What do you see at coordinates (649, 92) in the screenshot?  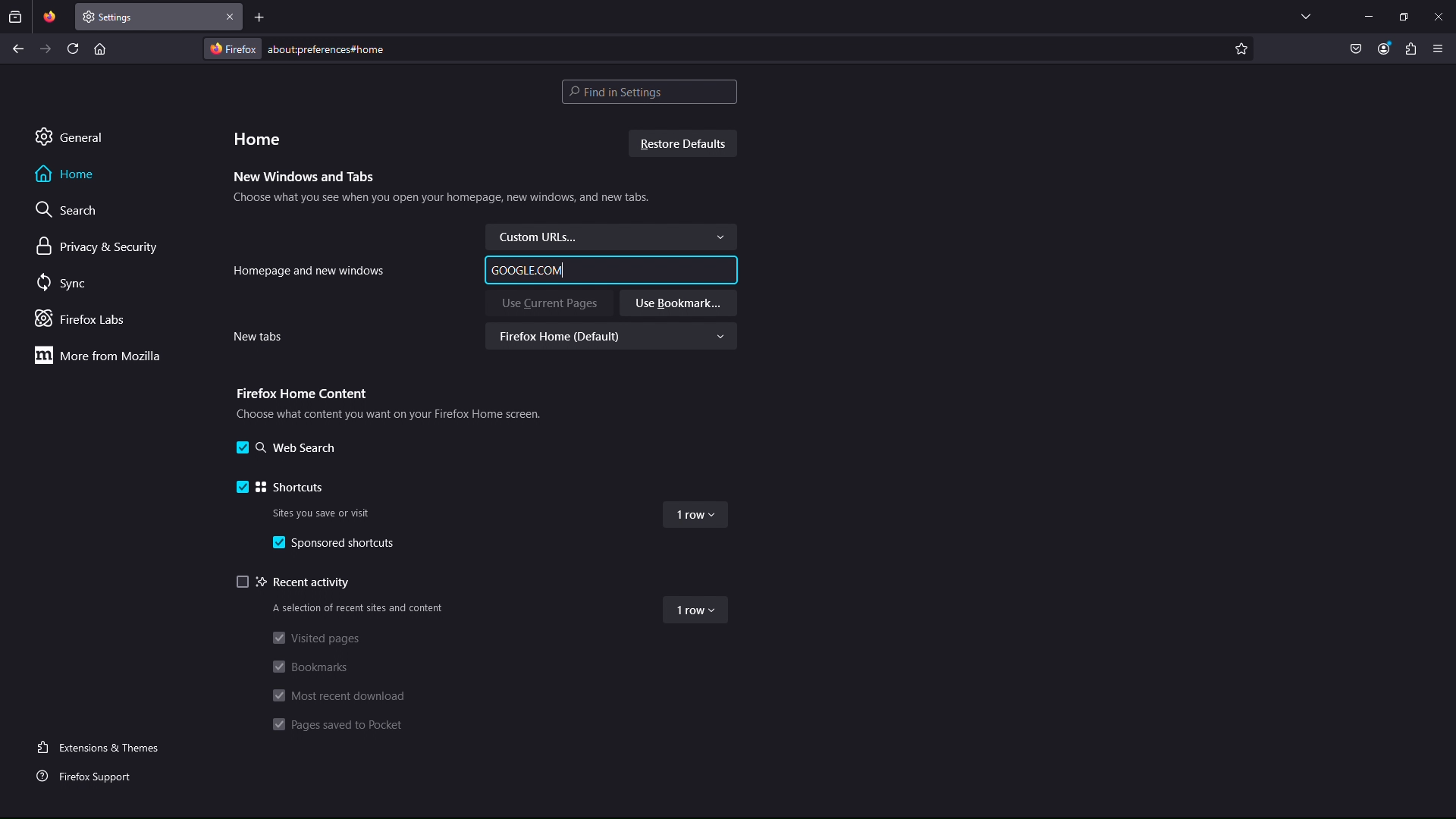 I see `Search bar` at bounding box center [649, 92].